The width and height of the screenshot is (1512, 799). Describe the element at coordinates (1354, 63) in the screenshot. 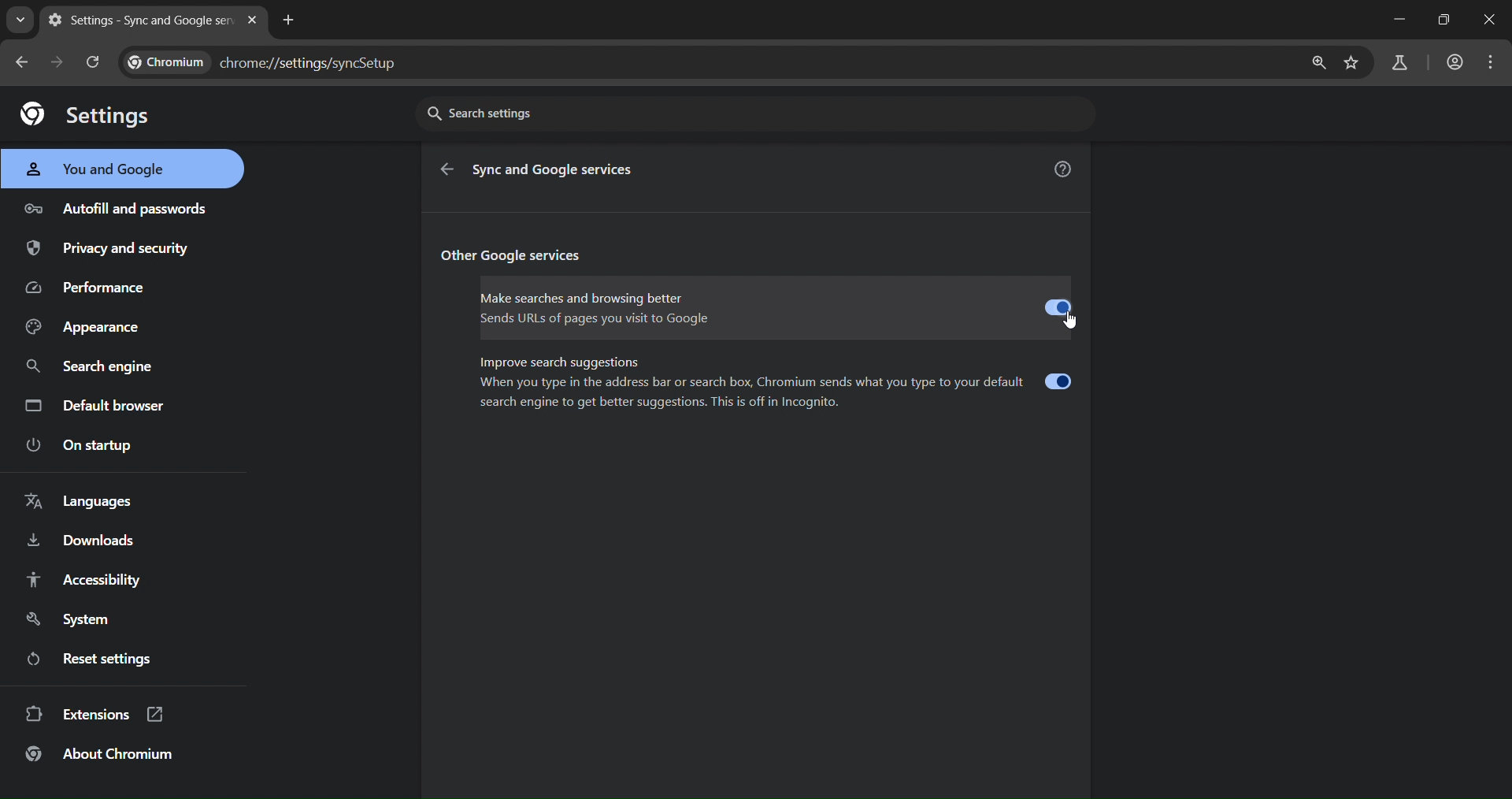

I see `bookmark page` at that location.